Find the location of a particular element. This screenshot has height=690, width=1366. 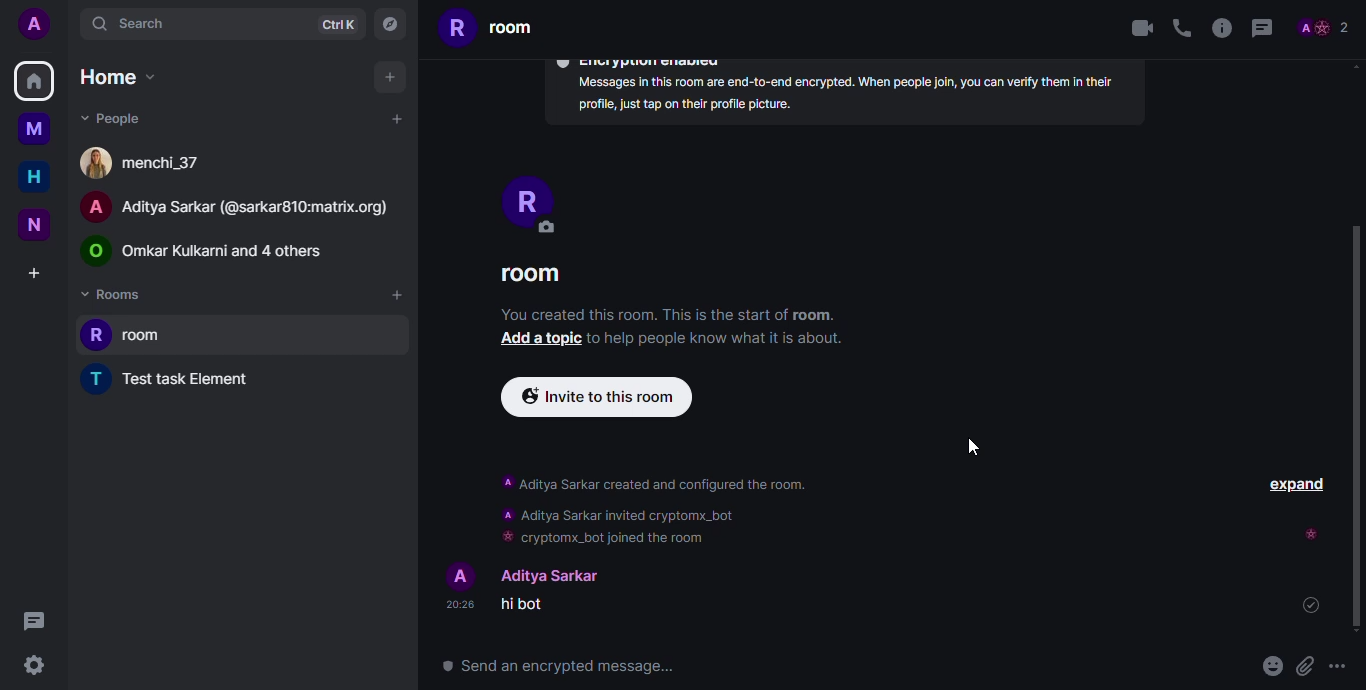

info is located at coordinates (1220, 28).